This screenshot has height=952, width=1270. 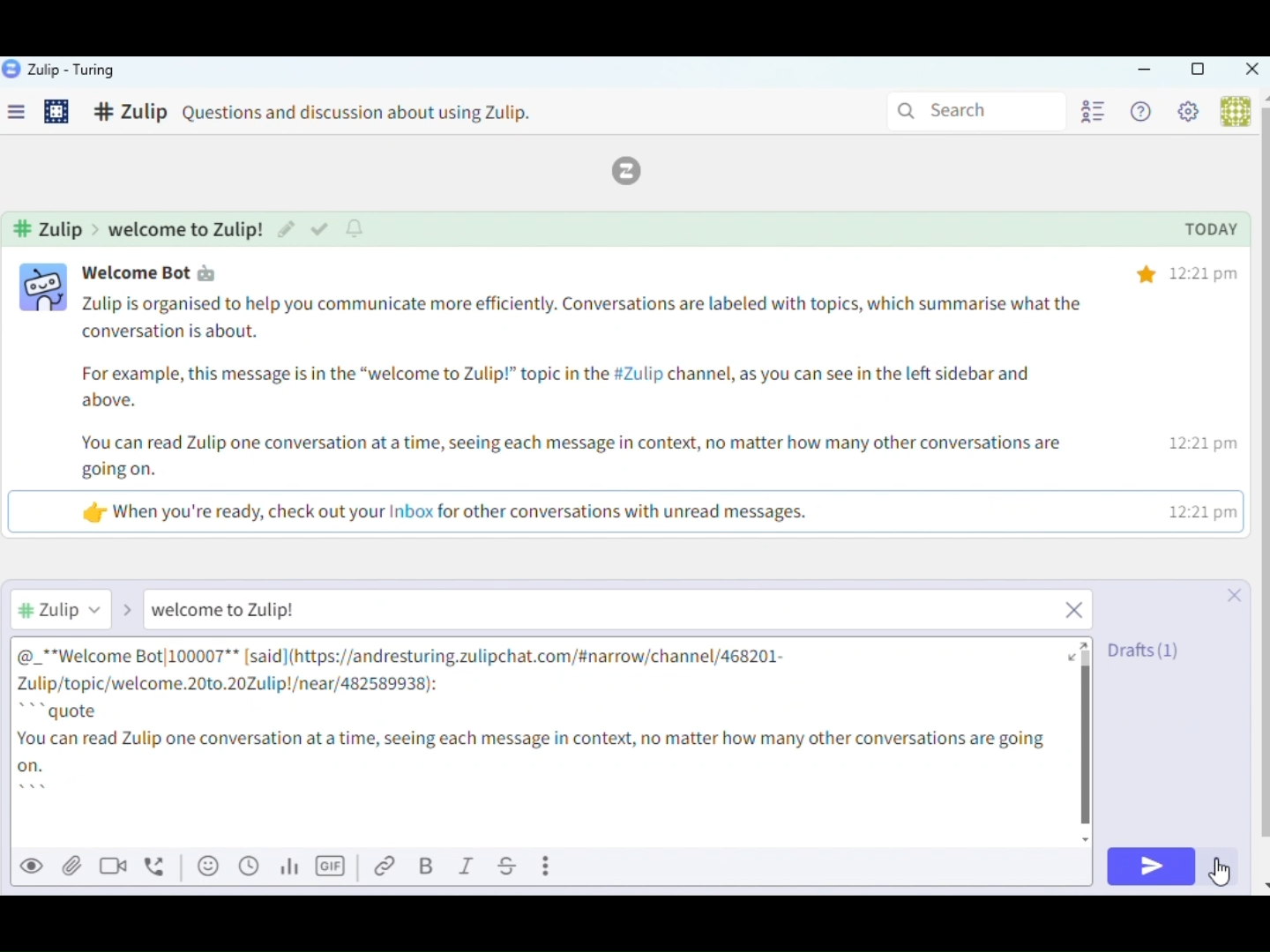 What do you see at coordinates (388, 867) in the screenshot?
I see `Link` at bounding box center [388, 867].